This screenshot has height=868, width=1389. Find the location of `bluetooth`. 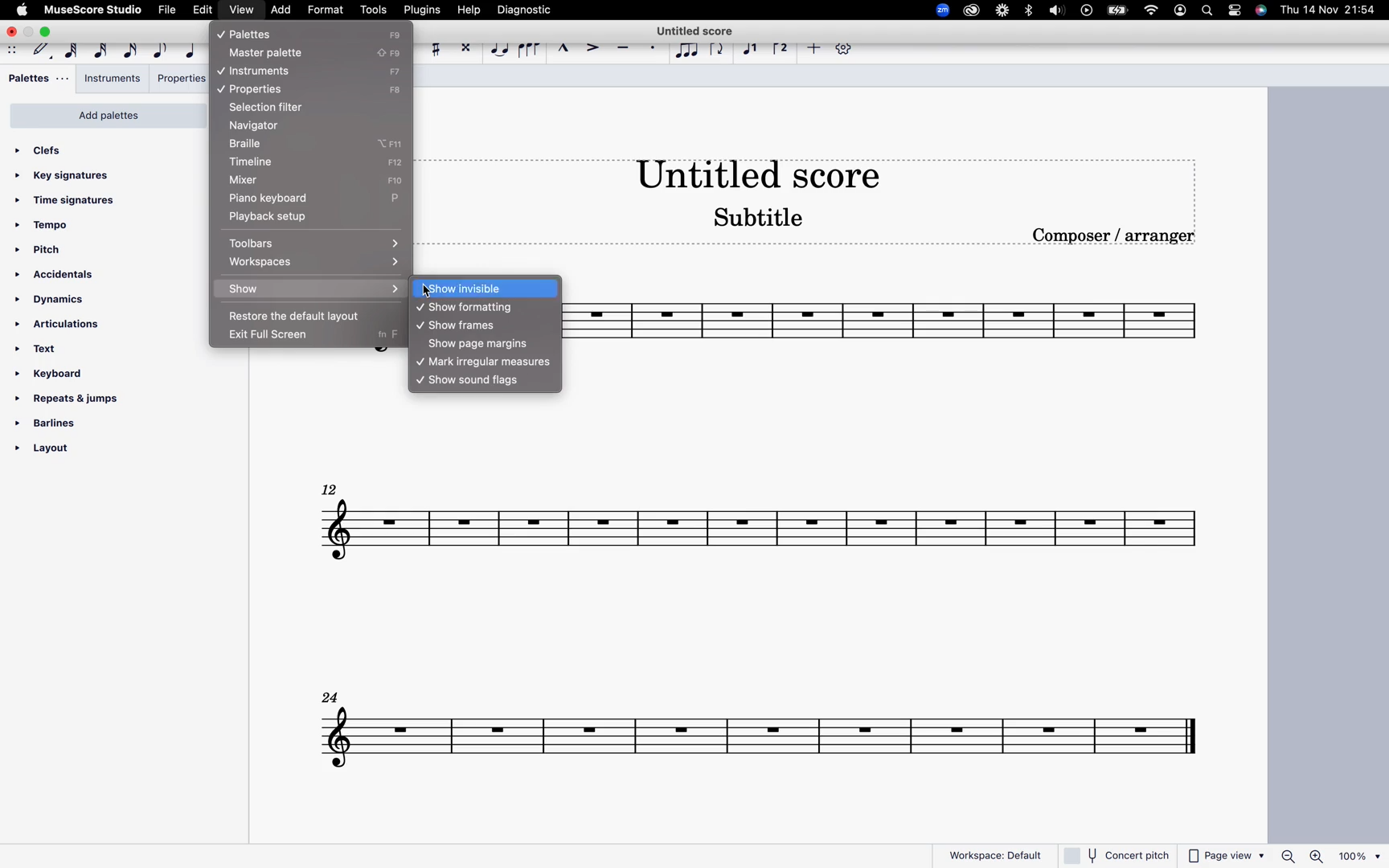

bluetooth is located at coordinates (1031, 10).